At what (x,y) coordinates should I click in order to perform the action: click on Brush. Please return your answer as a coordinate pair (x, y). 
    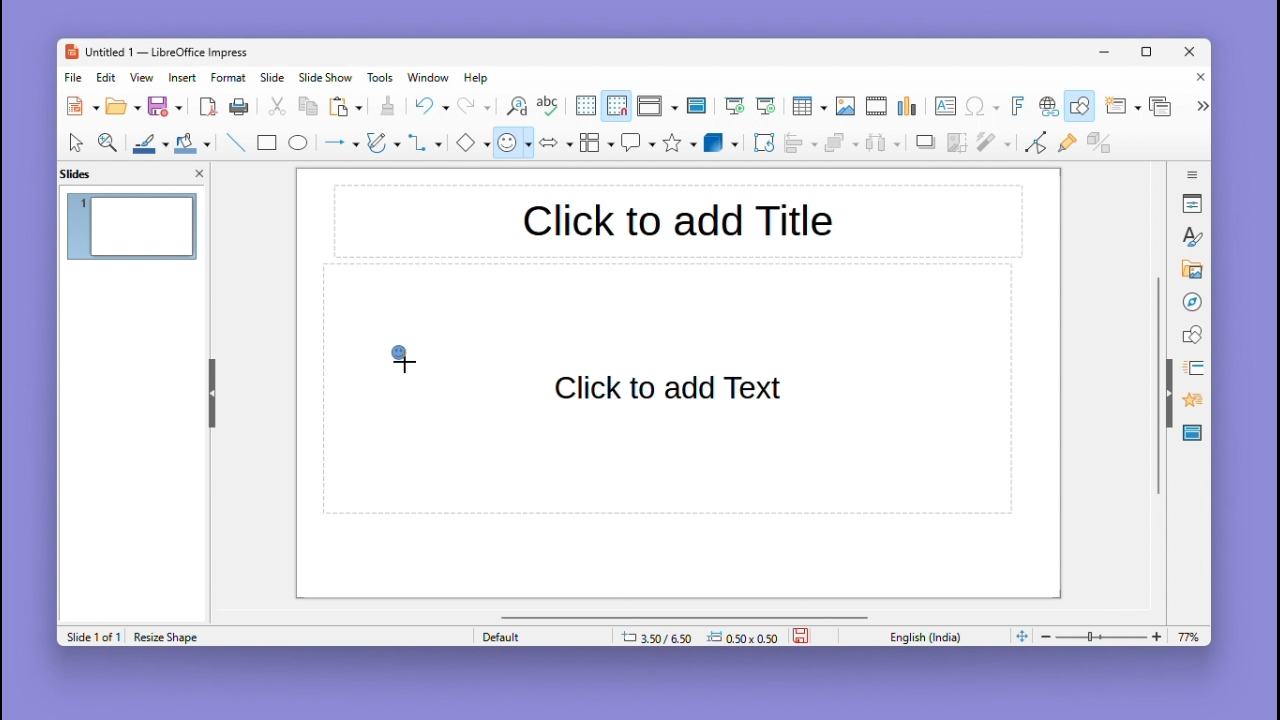
    Looking at the image, I should click on (145, 140).